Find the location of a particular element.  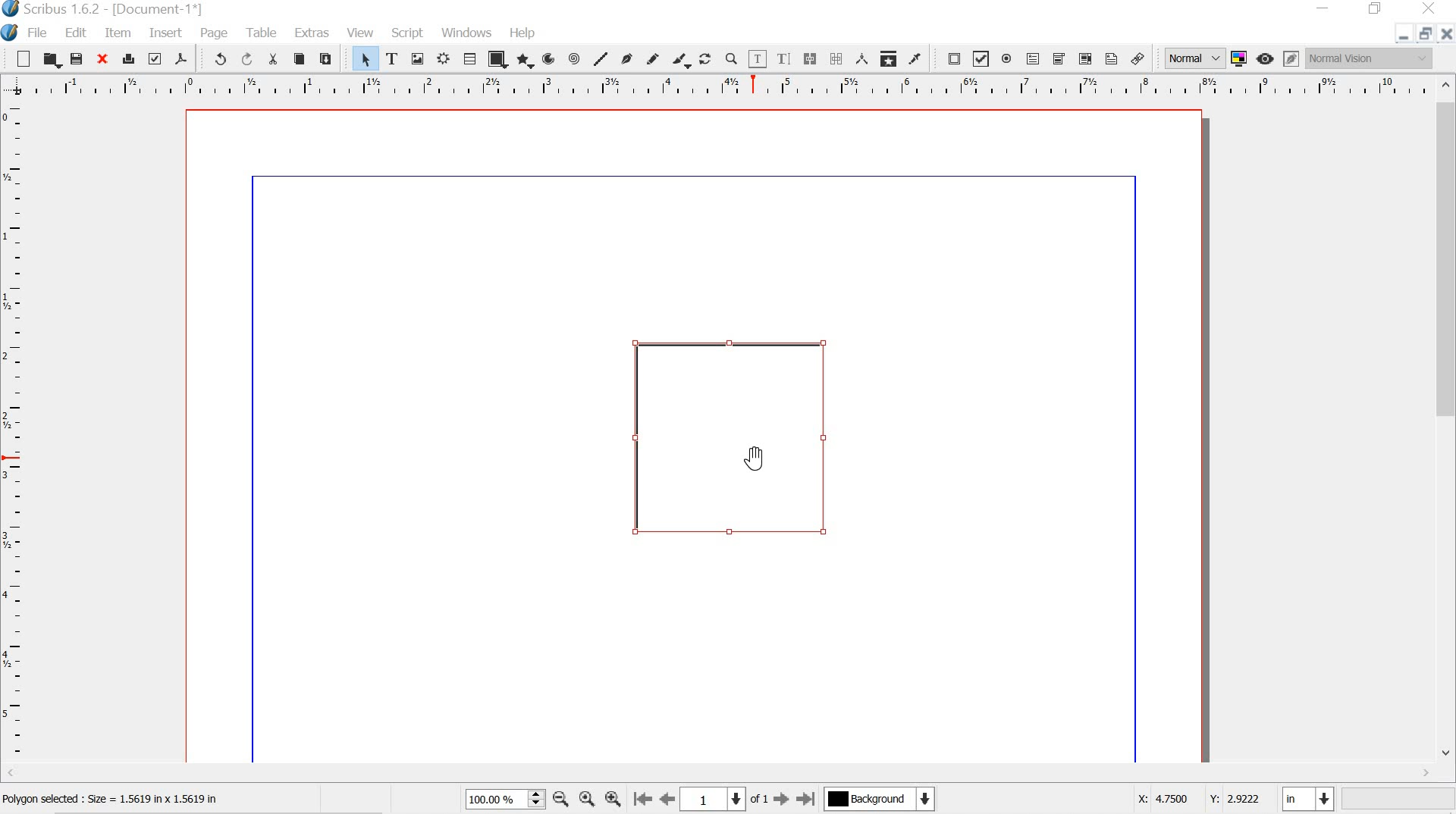

X: 4.7500  Y: 2.9222 is located at coordinates (1189, 801).